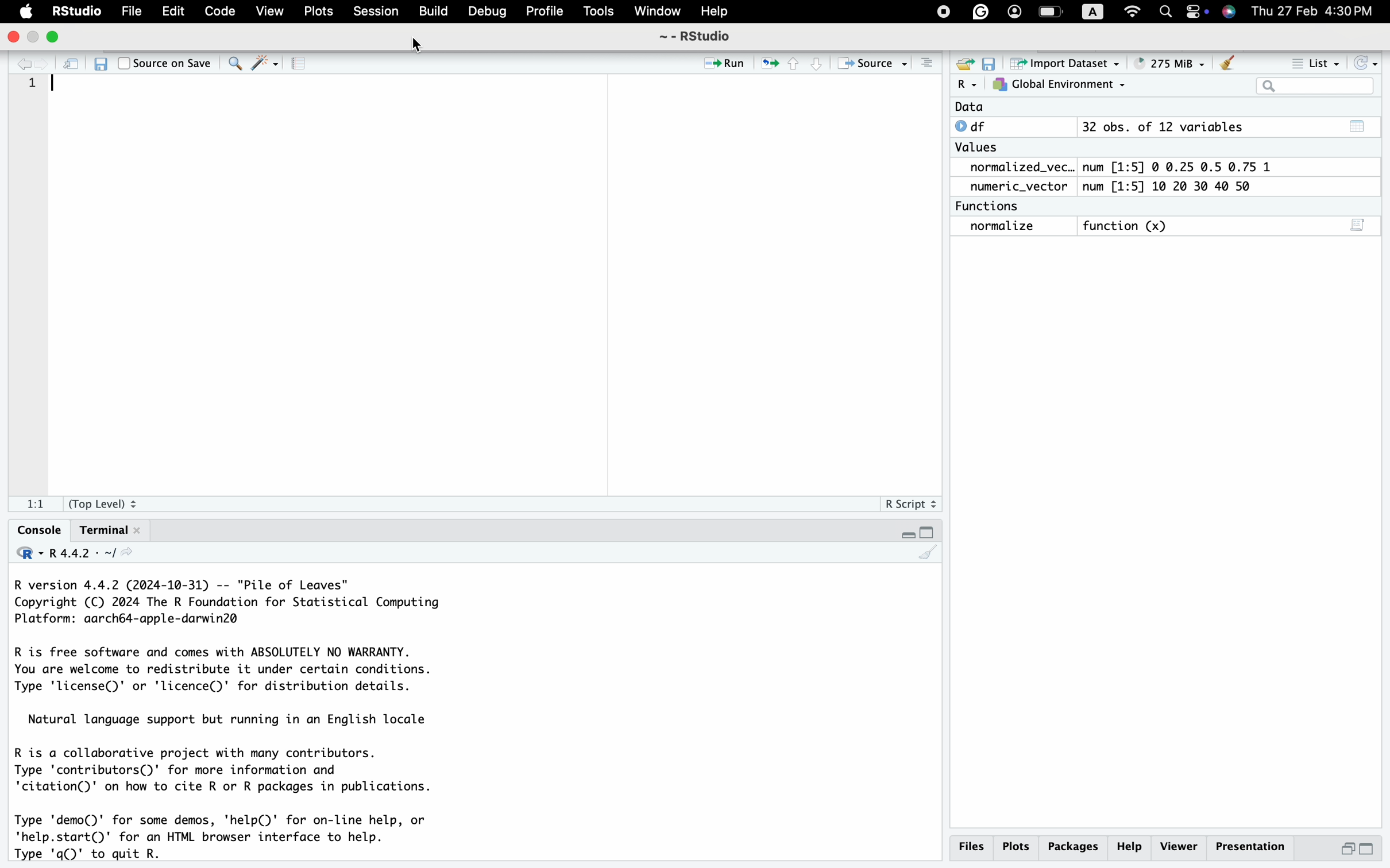 The width and height of the screenshot is (1390, 868). Describe the element at coordinates (872, 63) in the screenshot. I see `source` at that location.